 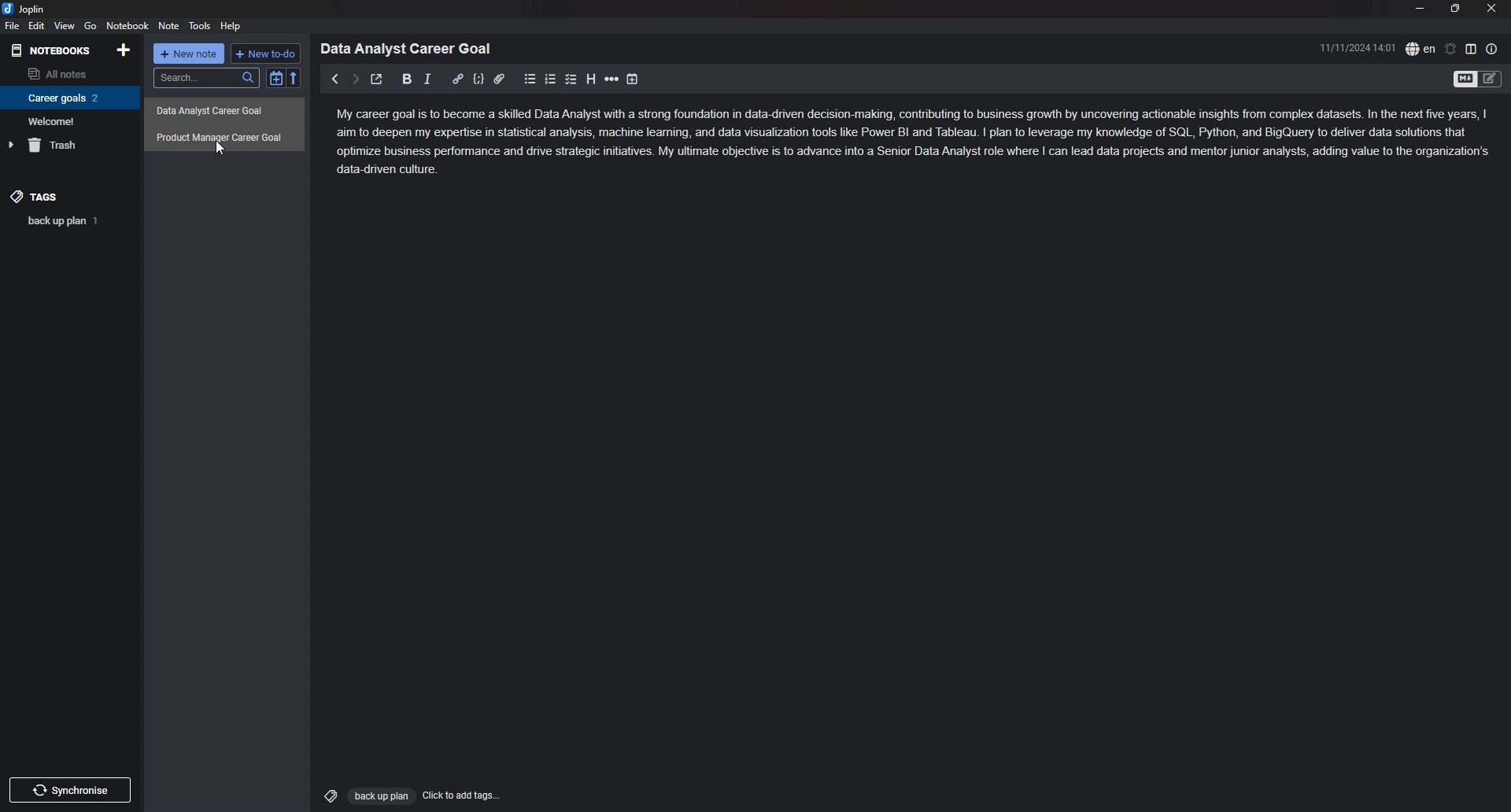 What do you see at coordinates (378, 79) in the screenshot?
I see `toggle external editor` at bounding box center [378, 79].